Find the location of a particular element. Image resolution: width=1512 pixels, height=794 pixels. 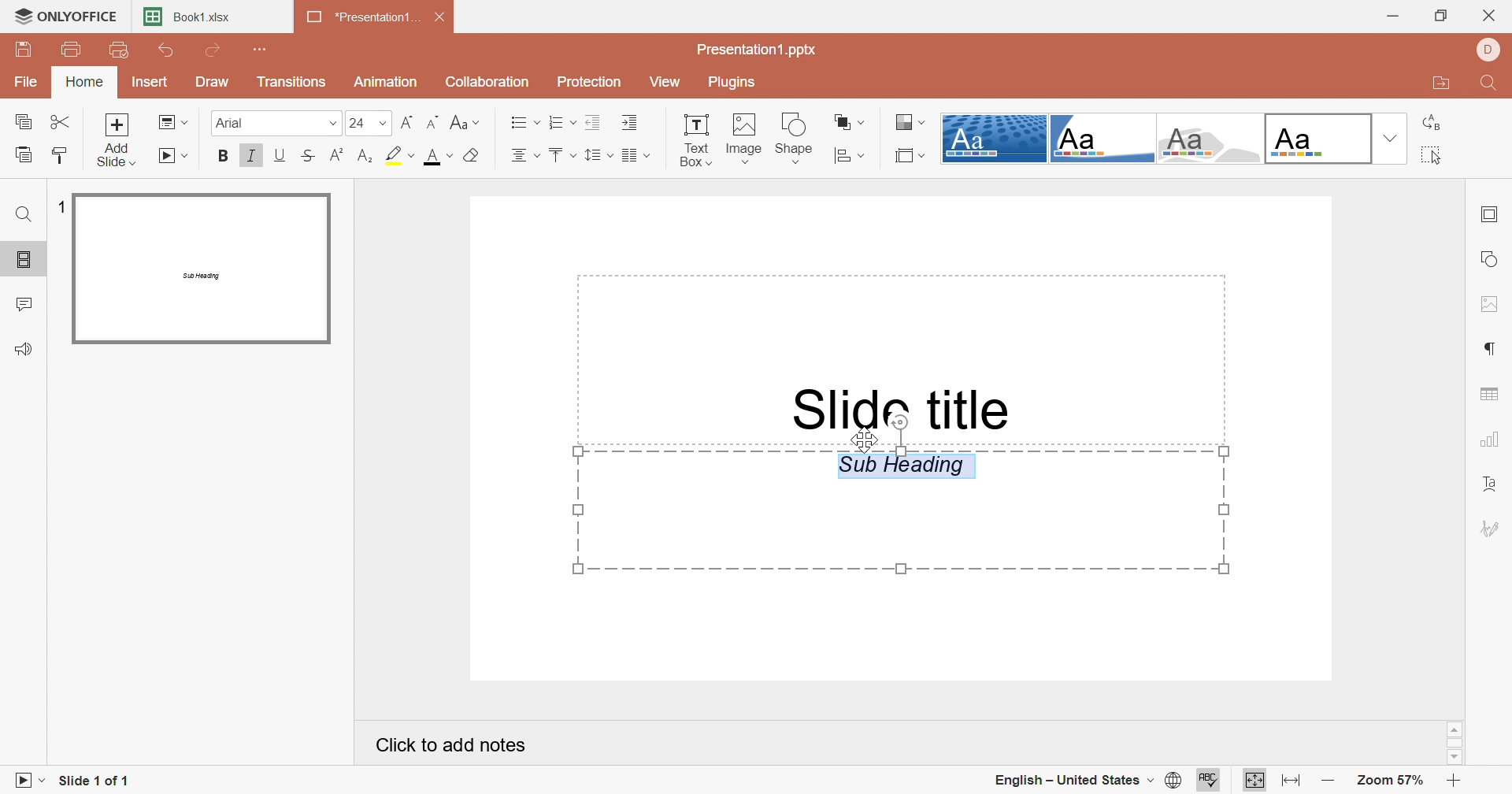

Home is located at coordinates (84, 81).